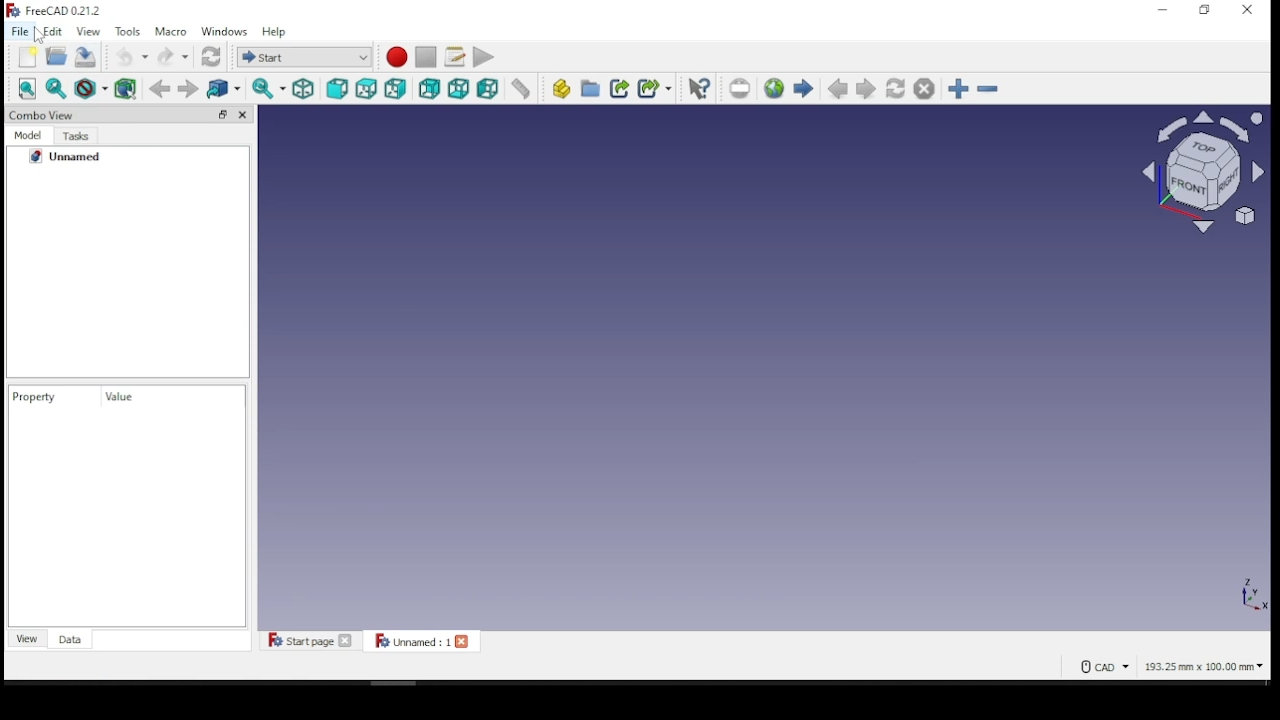 The height and width of the screenshot is (720, 1280). Describe the element at coordinates (43, 114) in the screenshot. I see `combo view` at that location.